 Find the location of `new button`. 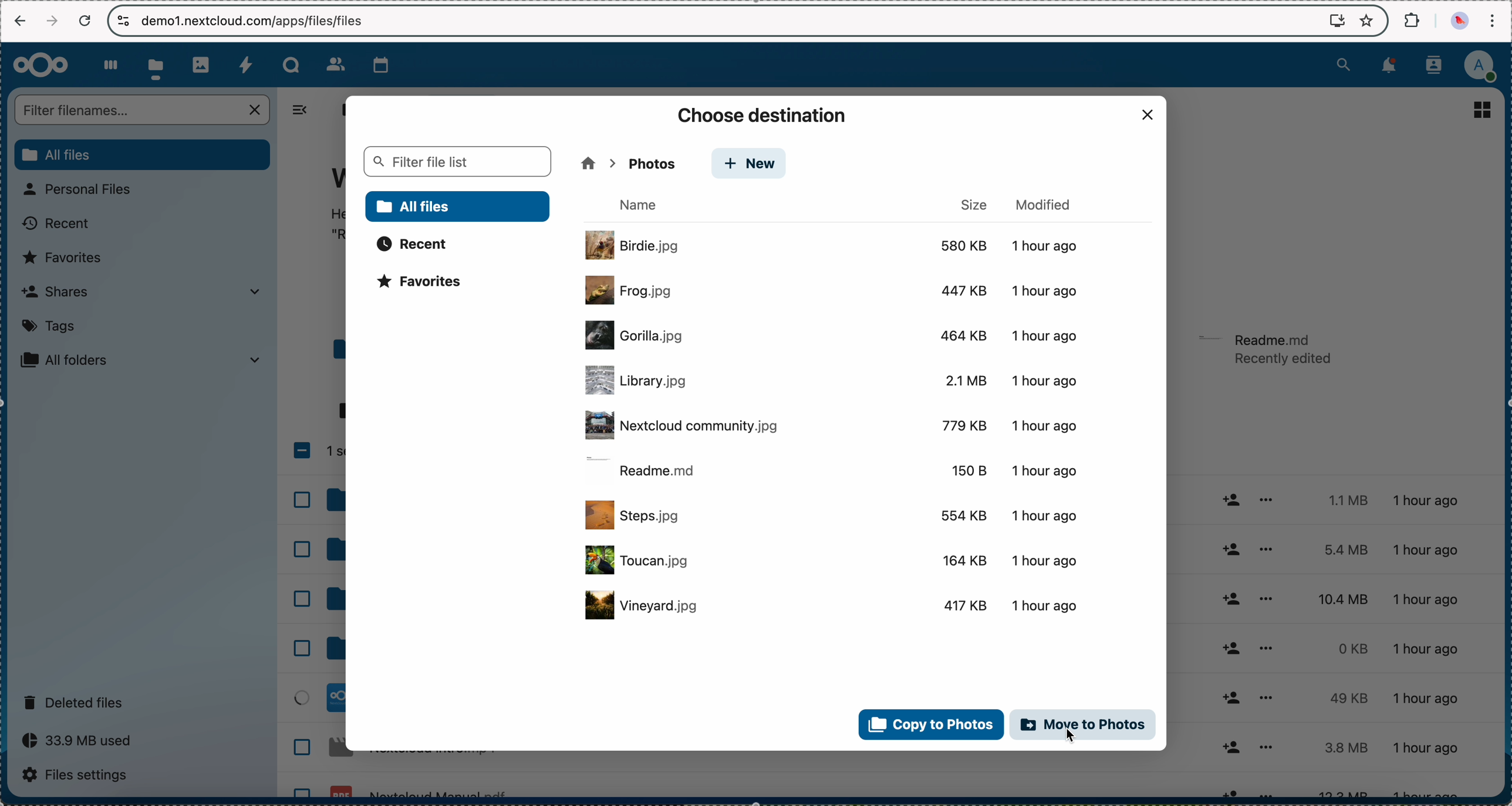

new button is located at coordinates (643, 163).